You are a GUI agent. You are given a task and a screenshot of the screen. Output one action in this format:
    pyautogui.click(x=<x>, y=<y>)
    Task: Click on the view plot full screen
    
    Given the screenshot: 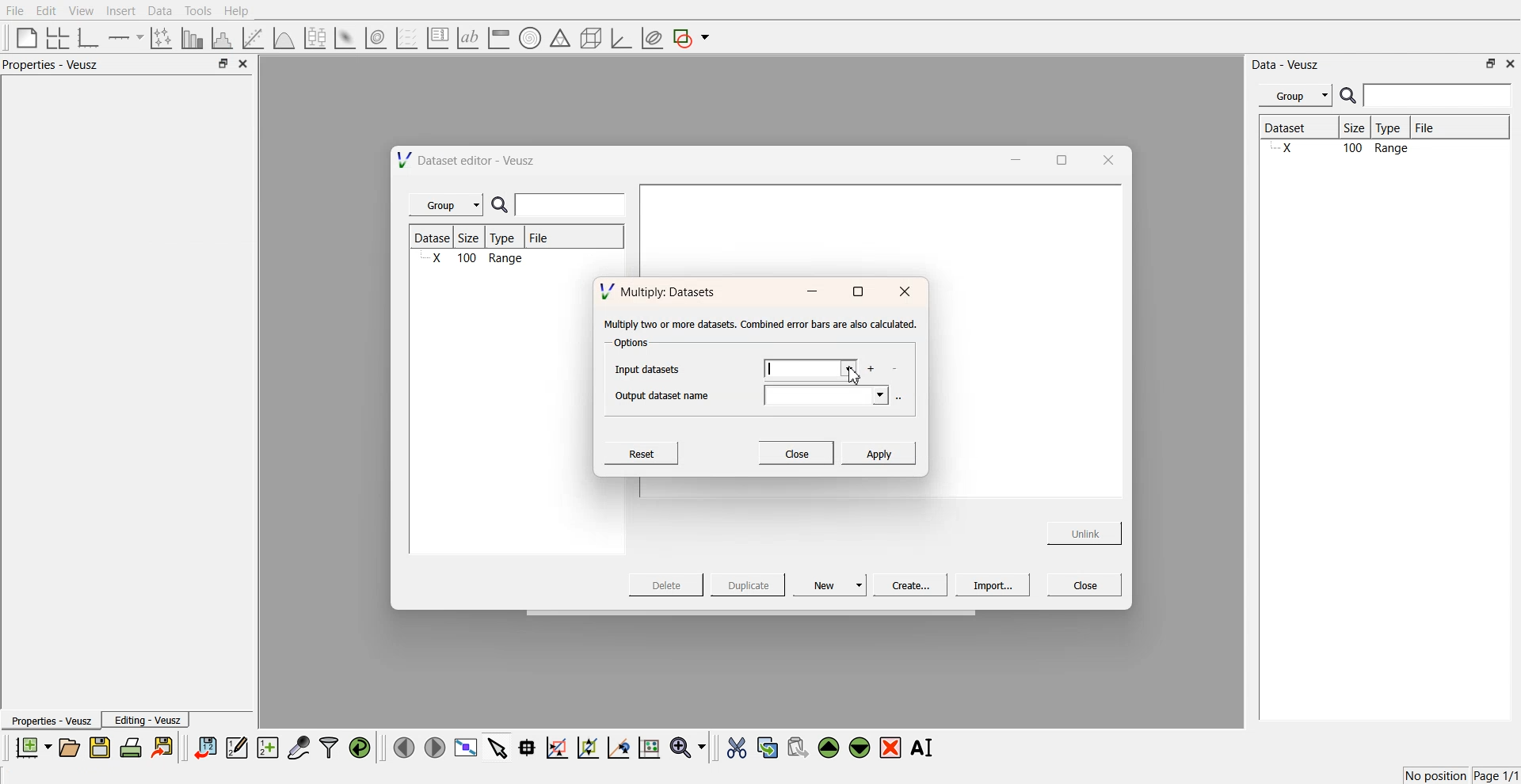 What is the action you would take?
    pyautogui.click(x=465, y=748)
    